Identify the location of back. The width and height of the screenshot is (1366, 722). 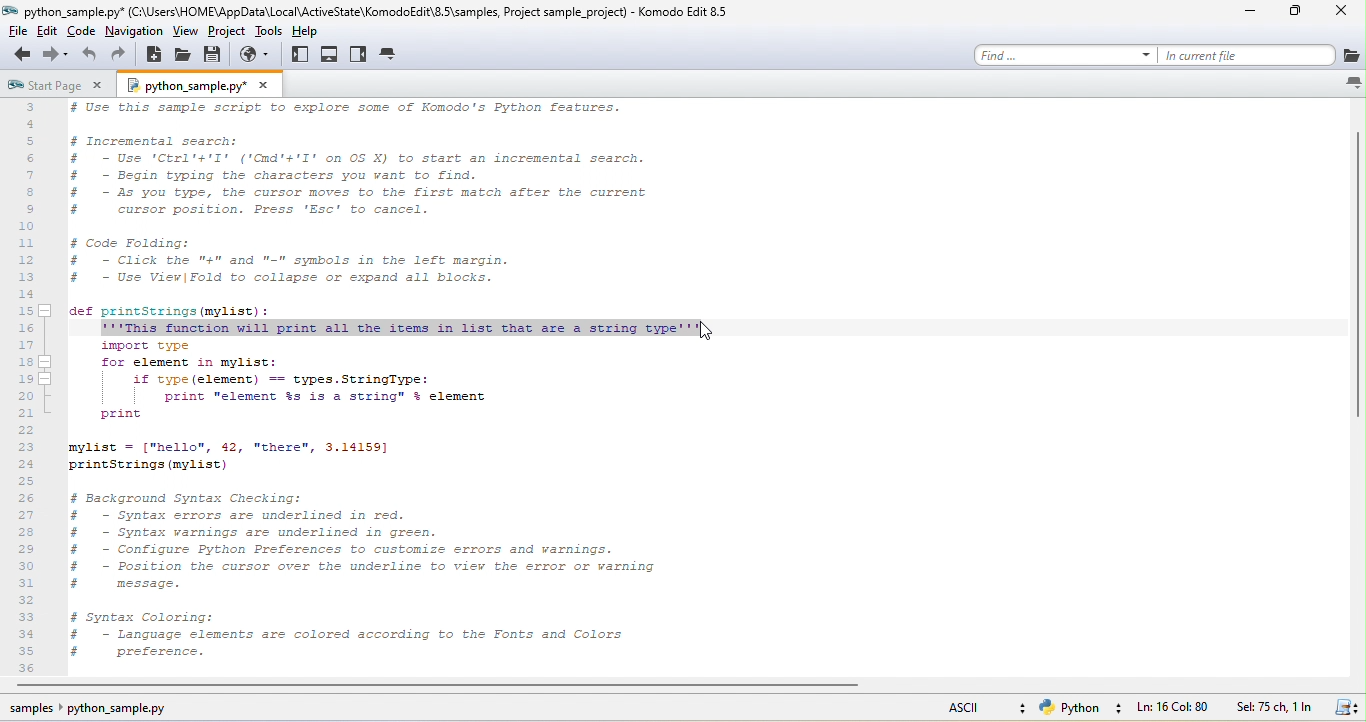
(19, 57).